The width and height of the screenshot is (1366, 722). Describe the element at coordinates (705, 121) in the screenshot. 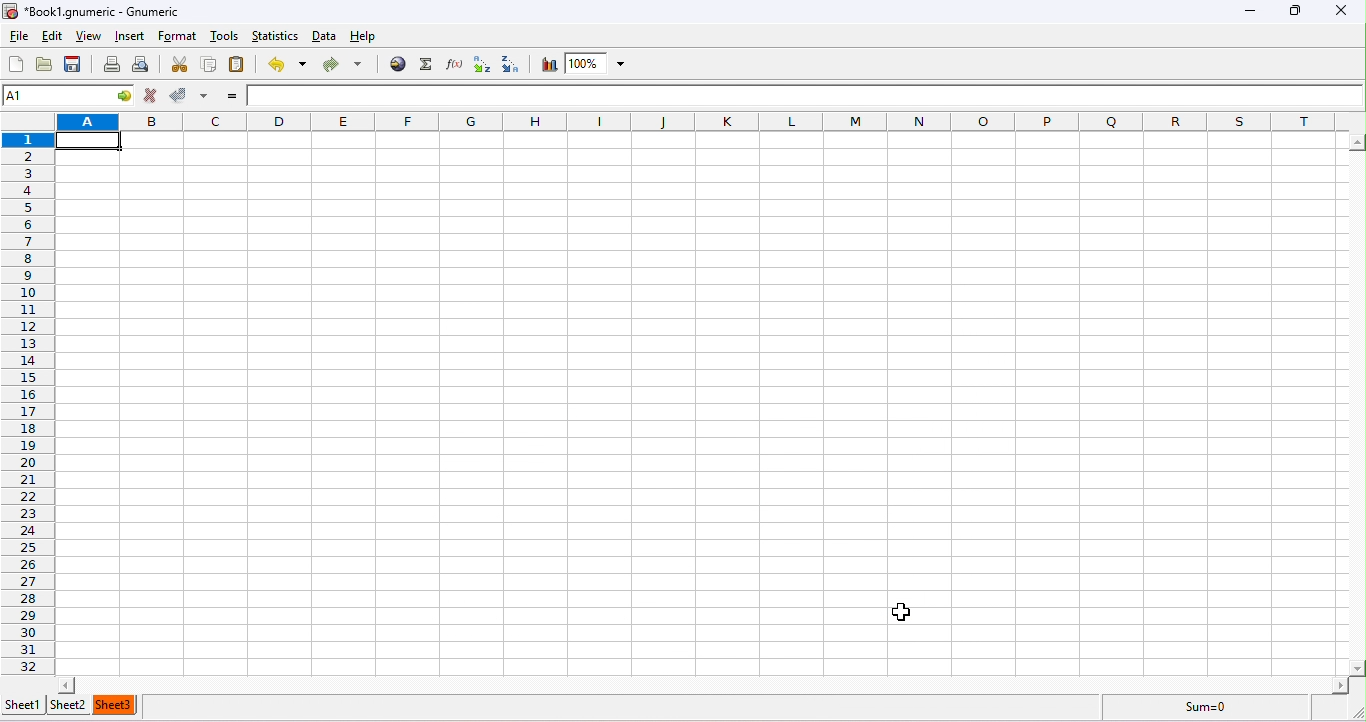

I see `column headings` at that location.